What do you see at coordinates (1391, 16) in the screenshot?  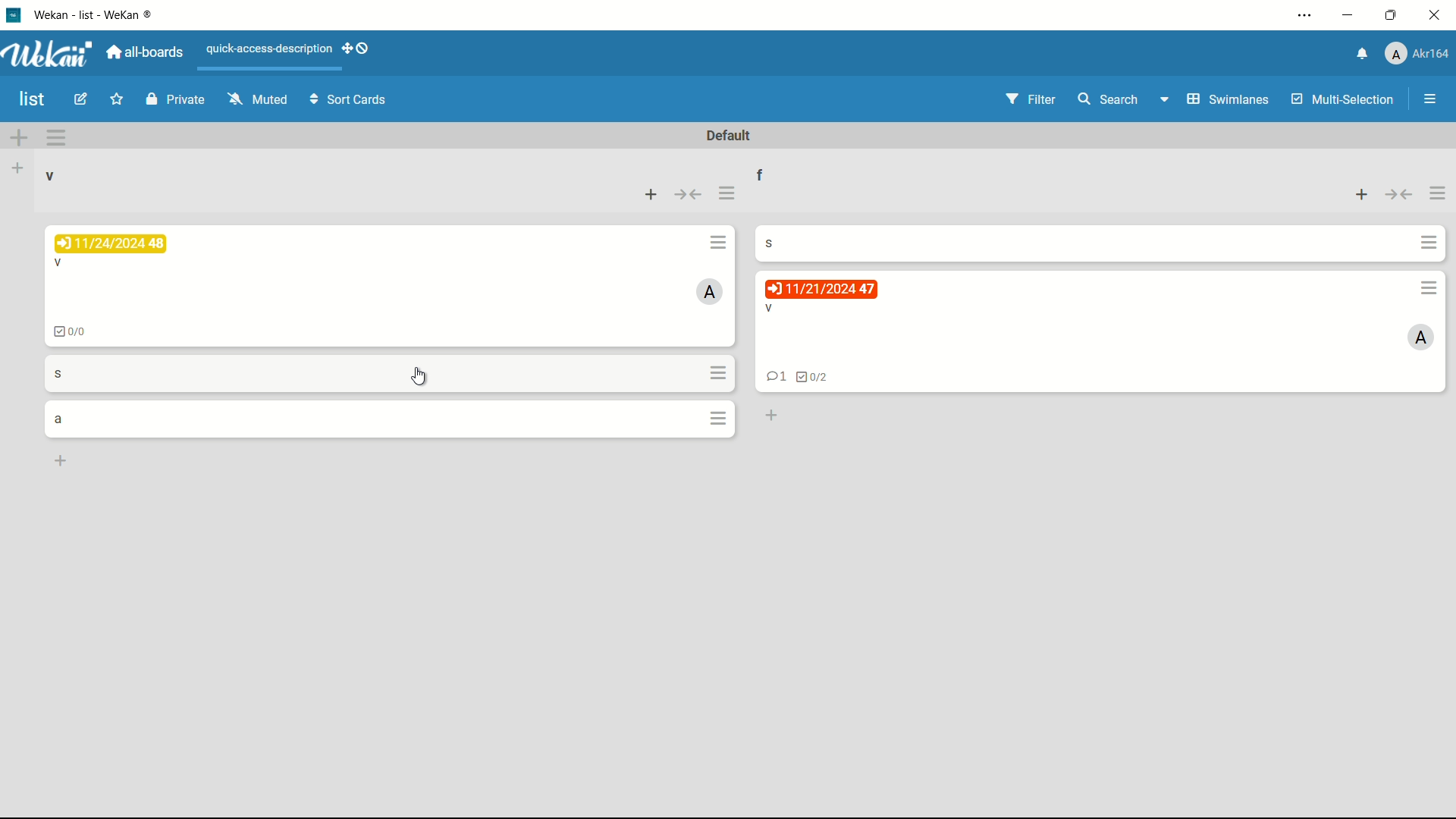 I see `maximize` at bounding box center [1391, 16].